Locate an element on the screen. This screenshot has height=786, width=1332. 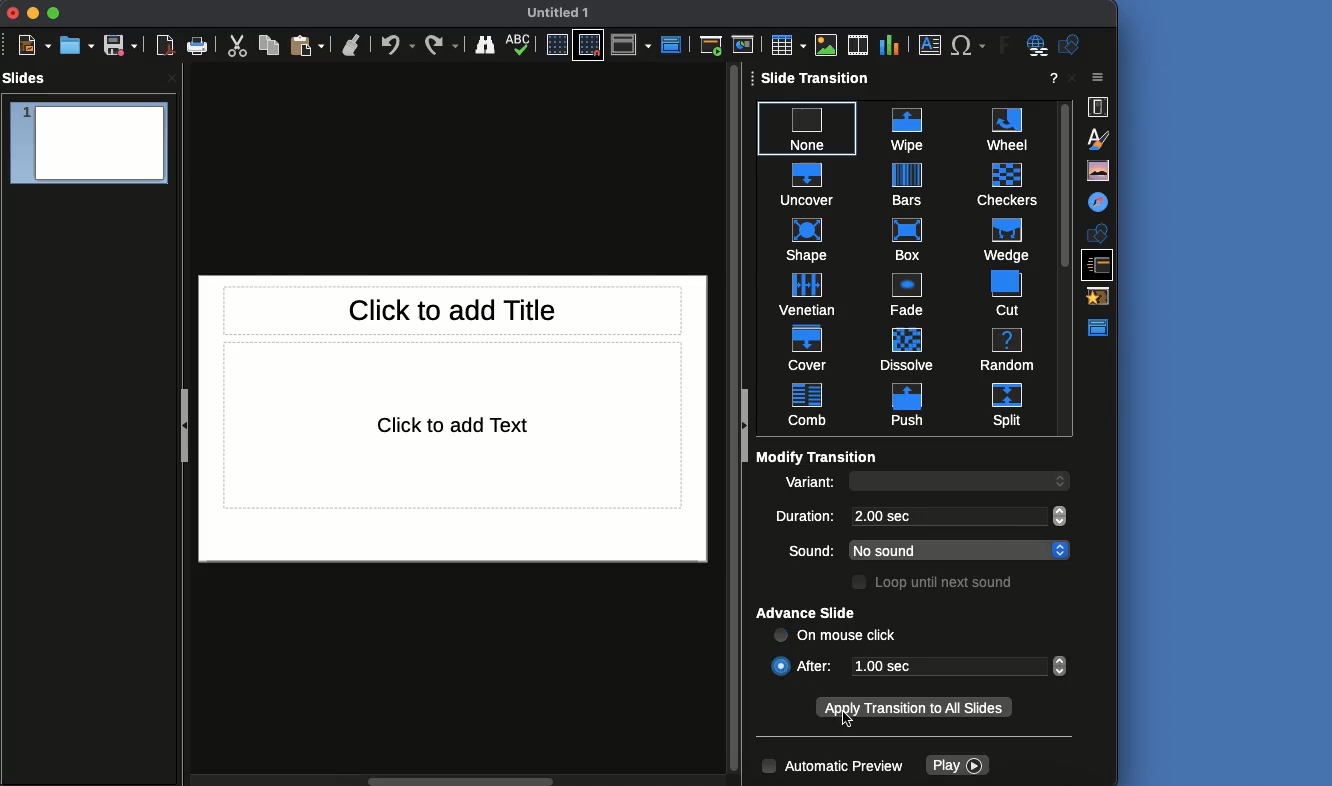
Navigator is located at coordinates (1099, 202).